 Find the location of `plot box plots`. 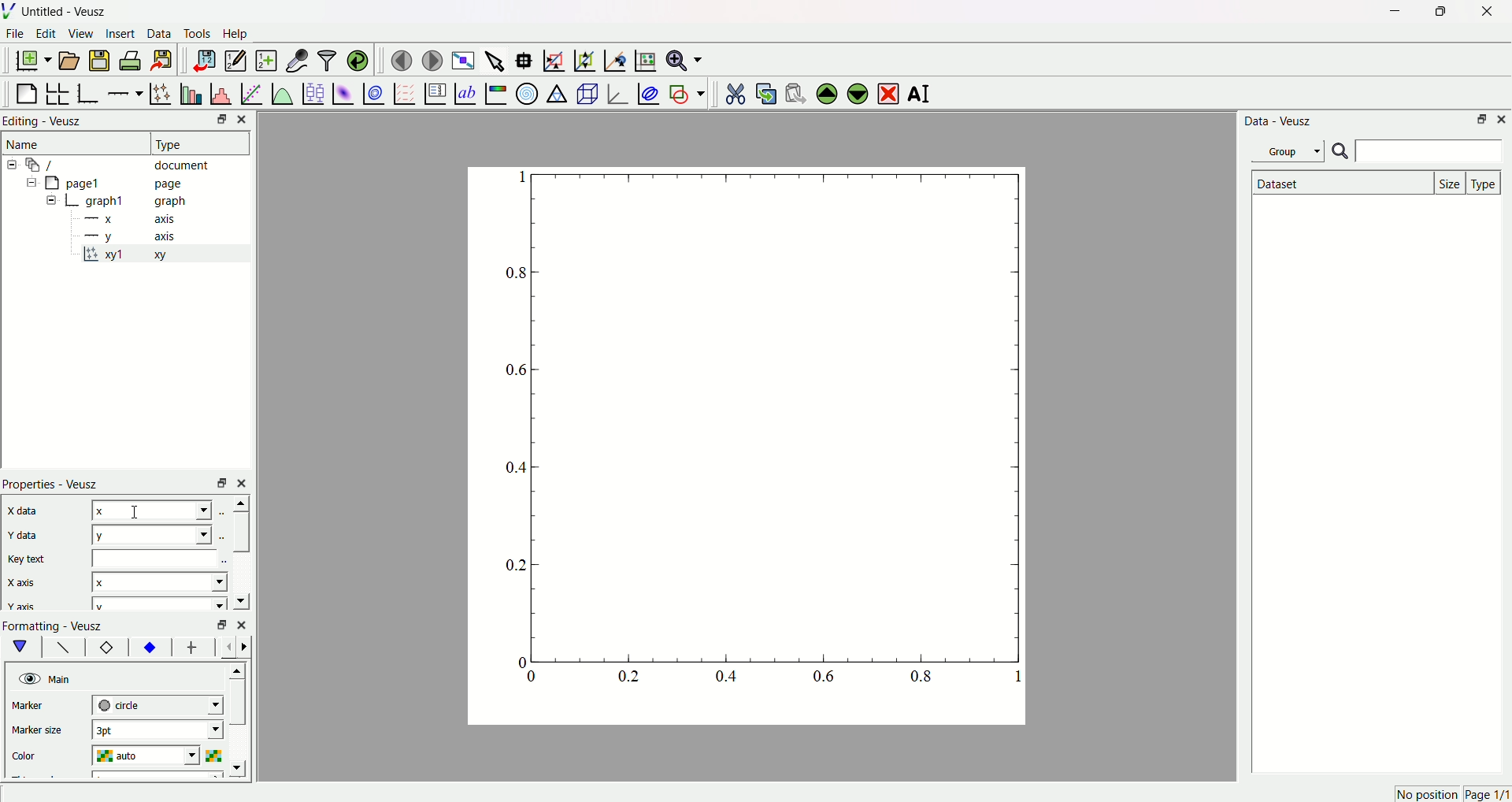

plot box plots is located at coordinates (313, 91).